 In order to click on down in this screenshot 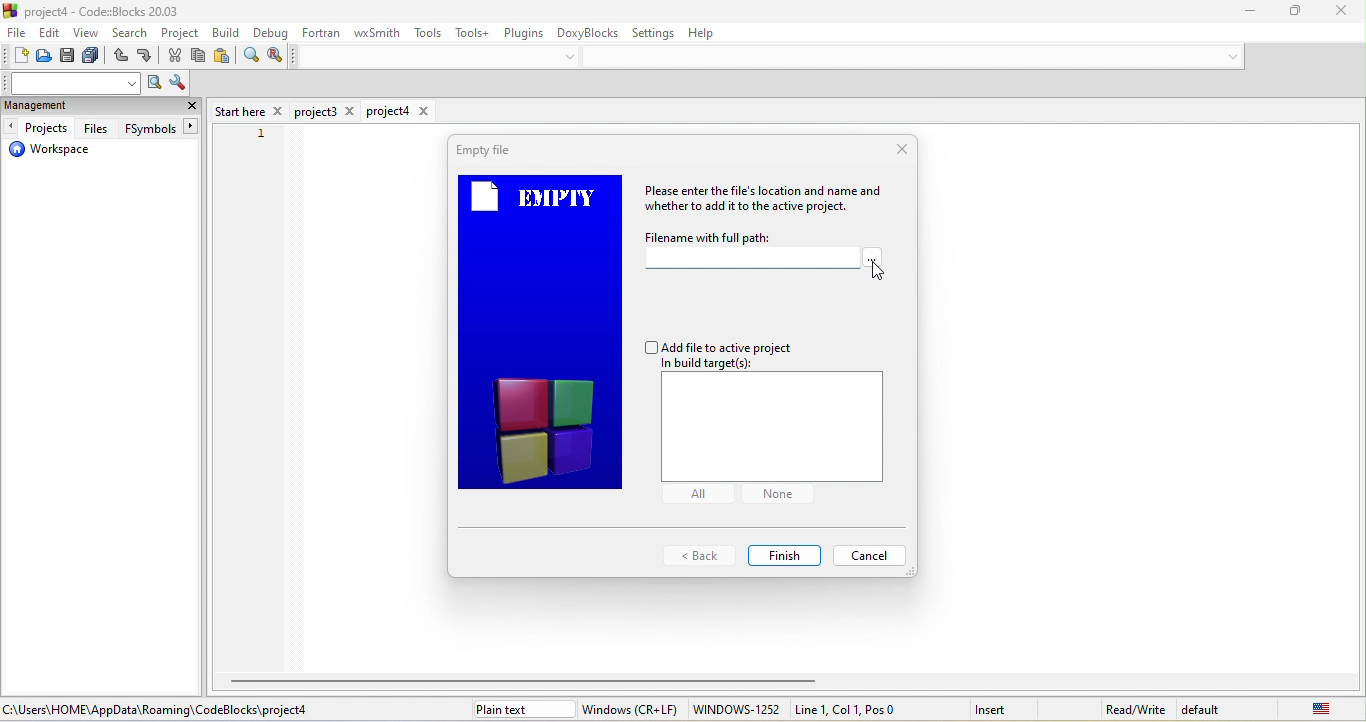, I will do `click(1228, 56)`.